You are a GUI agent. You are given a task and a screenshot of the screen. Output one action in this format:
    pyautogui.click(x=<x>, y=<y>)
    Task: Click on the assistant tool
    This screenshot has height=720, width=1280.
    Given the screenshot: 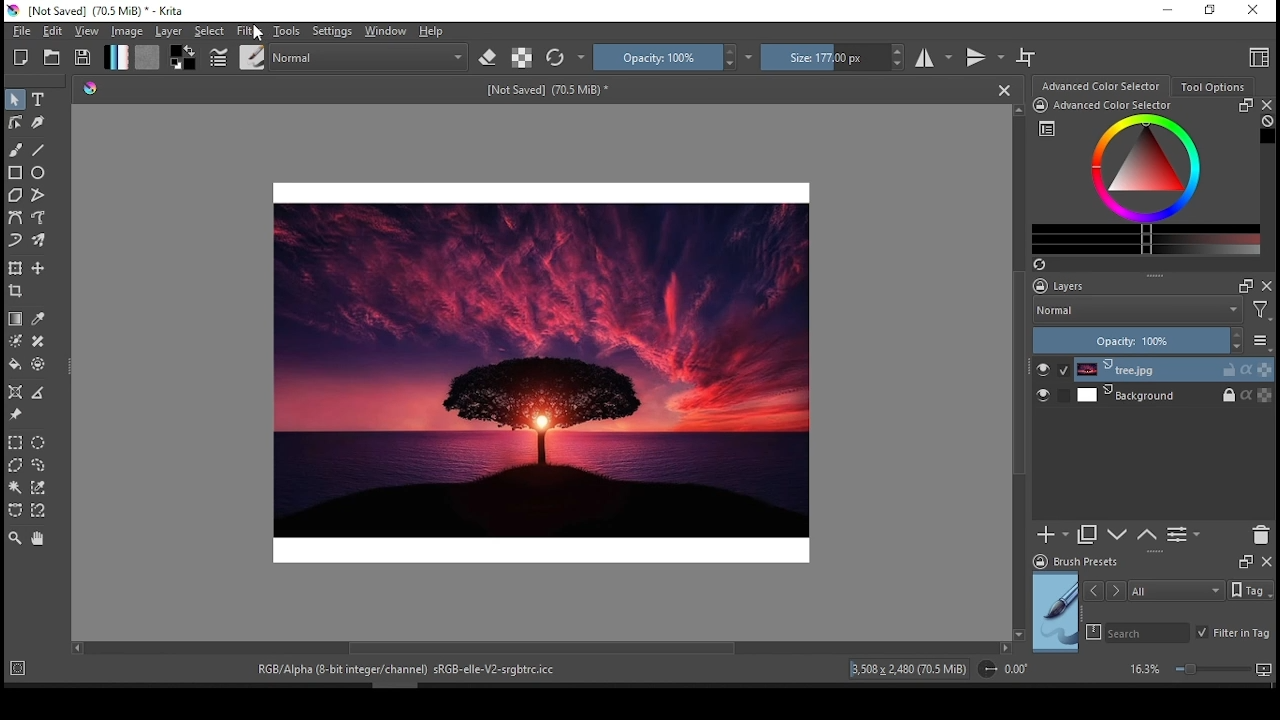 What is the action you would take?
    pyautogui.click(x=15, y=391)
    